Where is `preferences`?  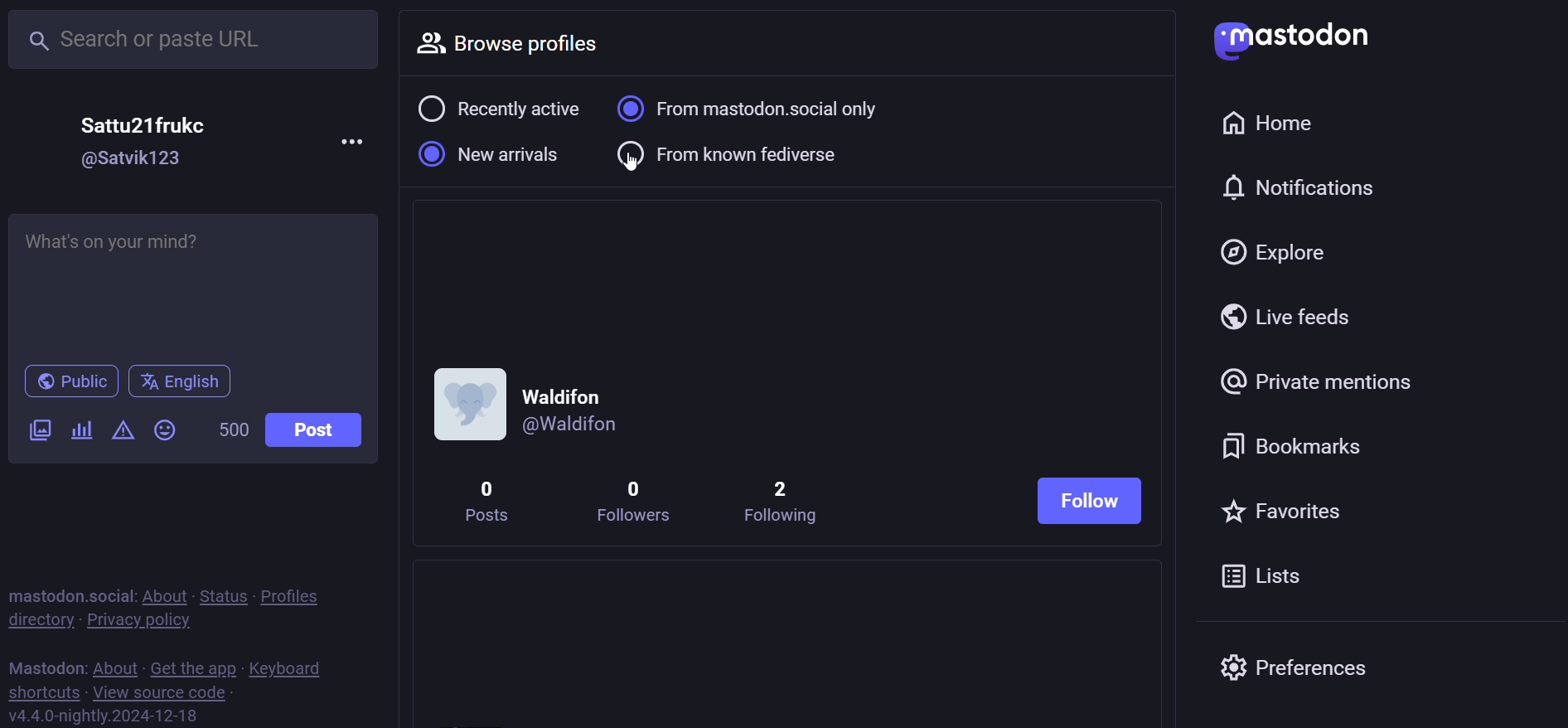 preferences is located at coordinates (1304, 669).